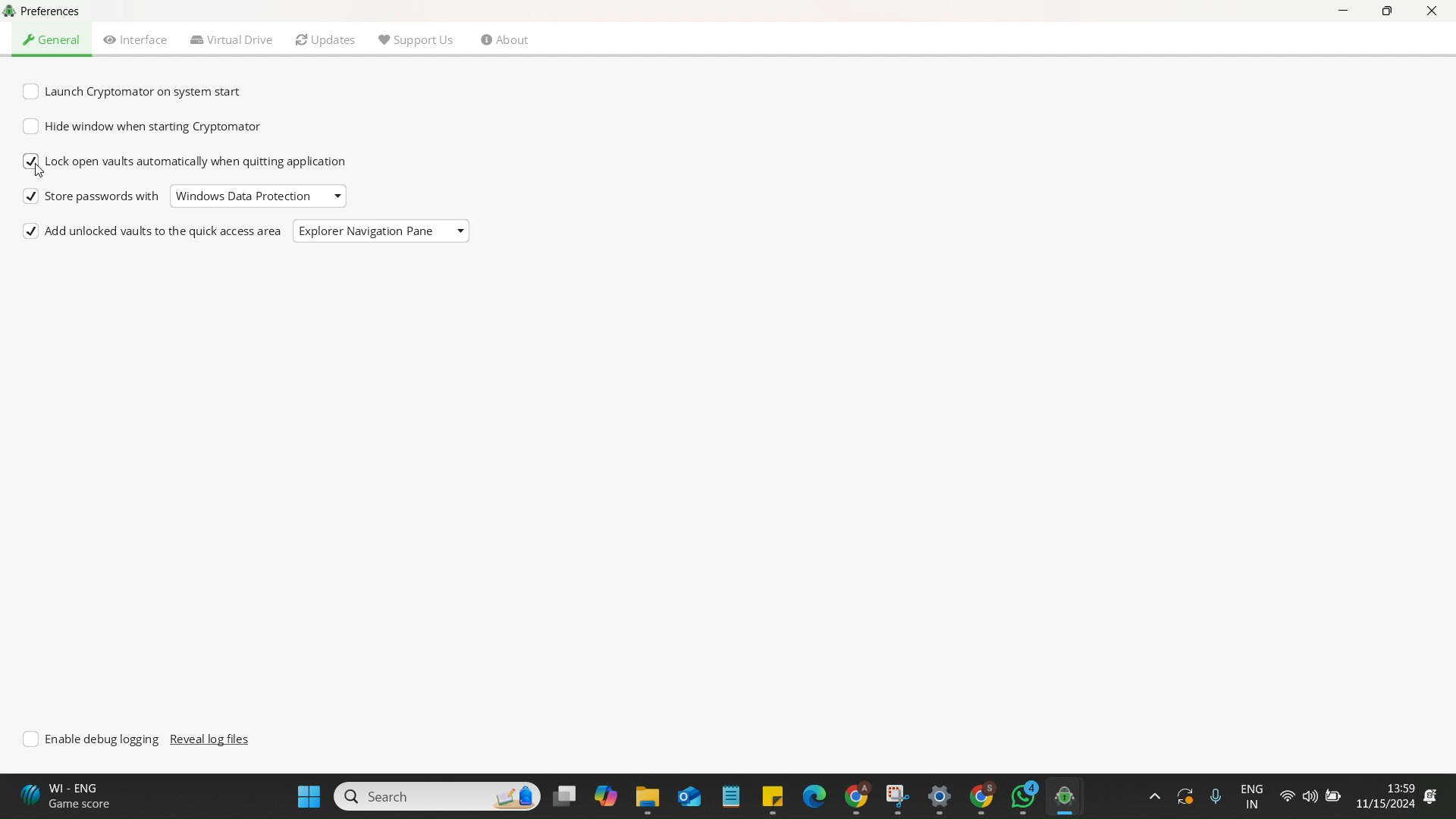  Describe the element at coordinates (602, 795) in the screenshot. I see `CoPilot` at that location.